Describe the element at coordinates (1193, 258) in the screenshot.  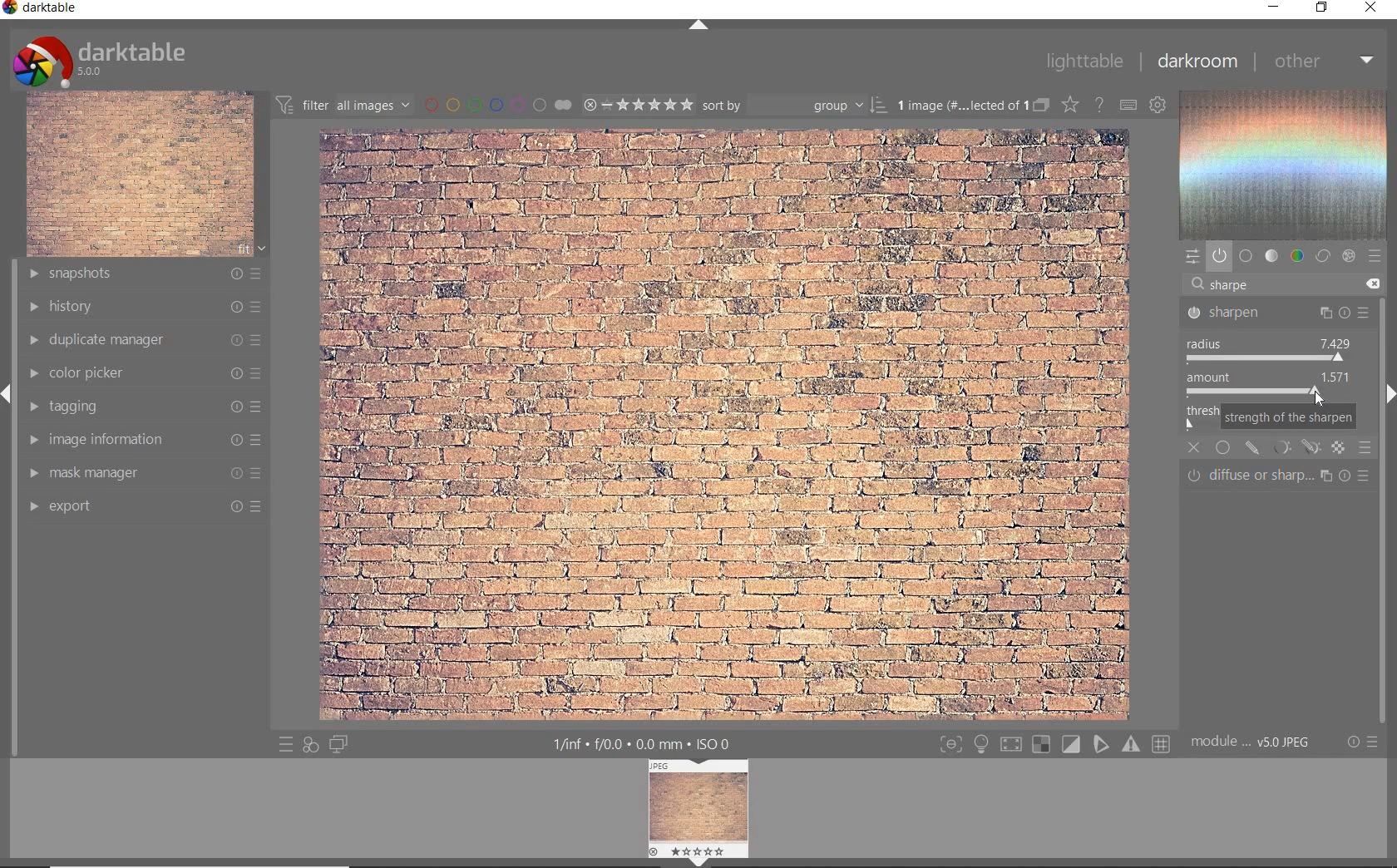
I see `quick access panel` at that location.